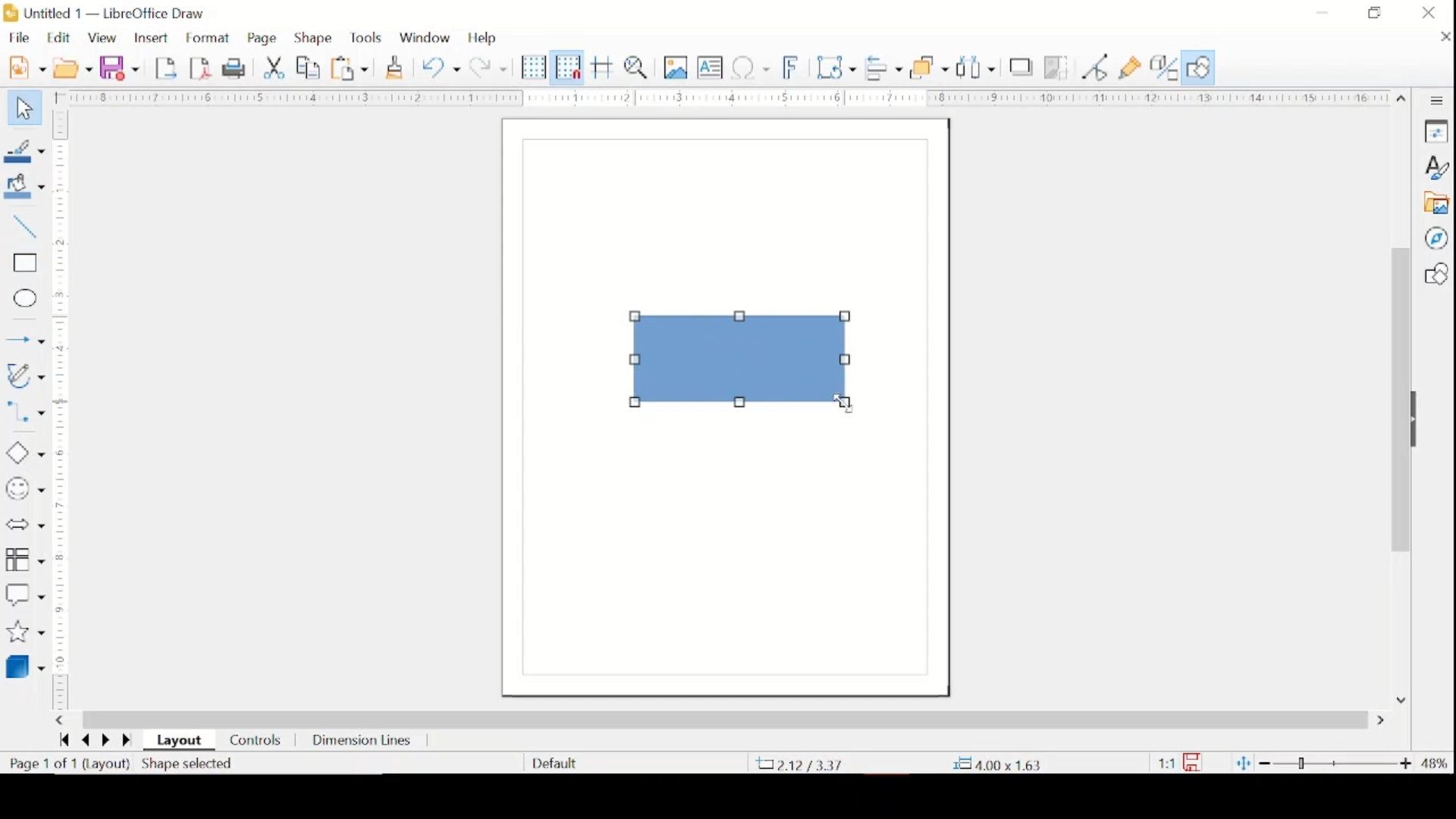 Image resolution: width=1456 pixels, height=819 pixels. Describe the element at coordinates (534, 68) in the screenshot. I see `display grid` at that location.